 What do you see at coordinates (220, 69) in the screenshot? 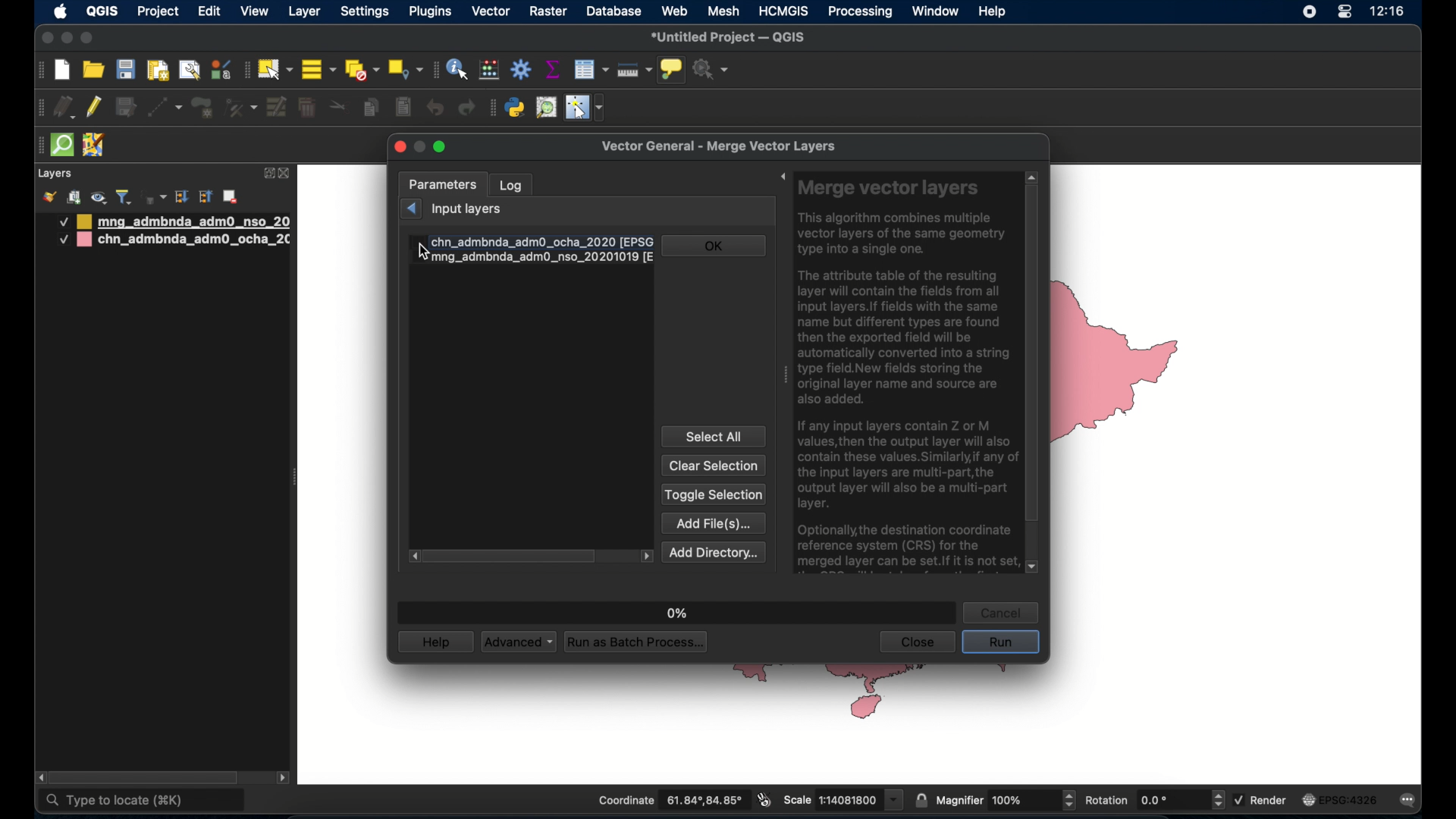
I see `style manager` at bounding box center [220, 69].